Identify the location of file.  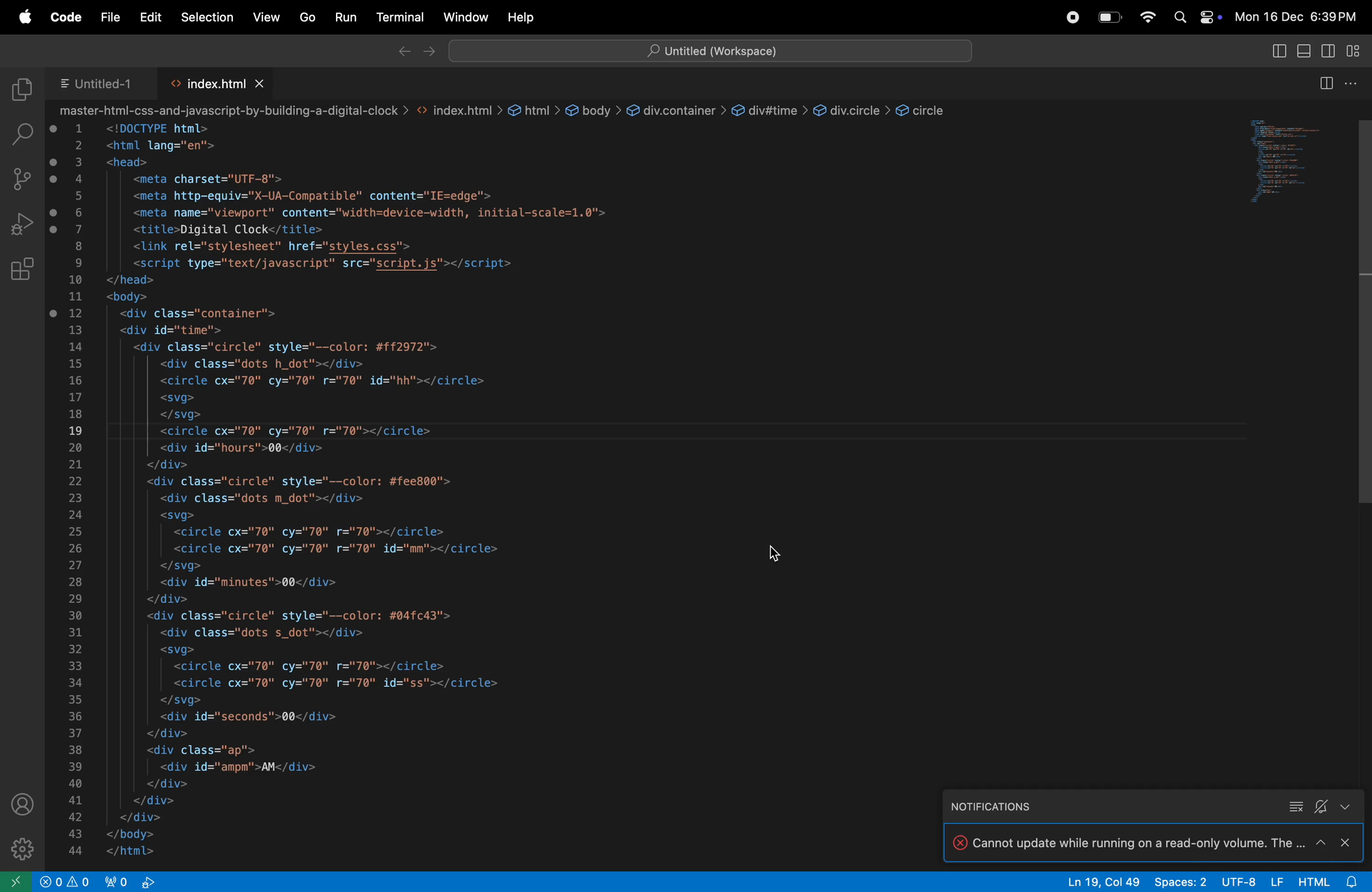
(108, 17).